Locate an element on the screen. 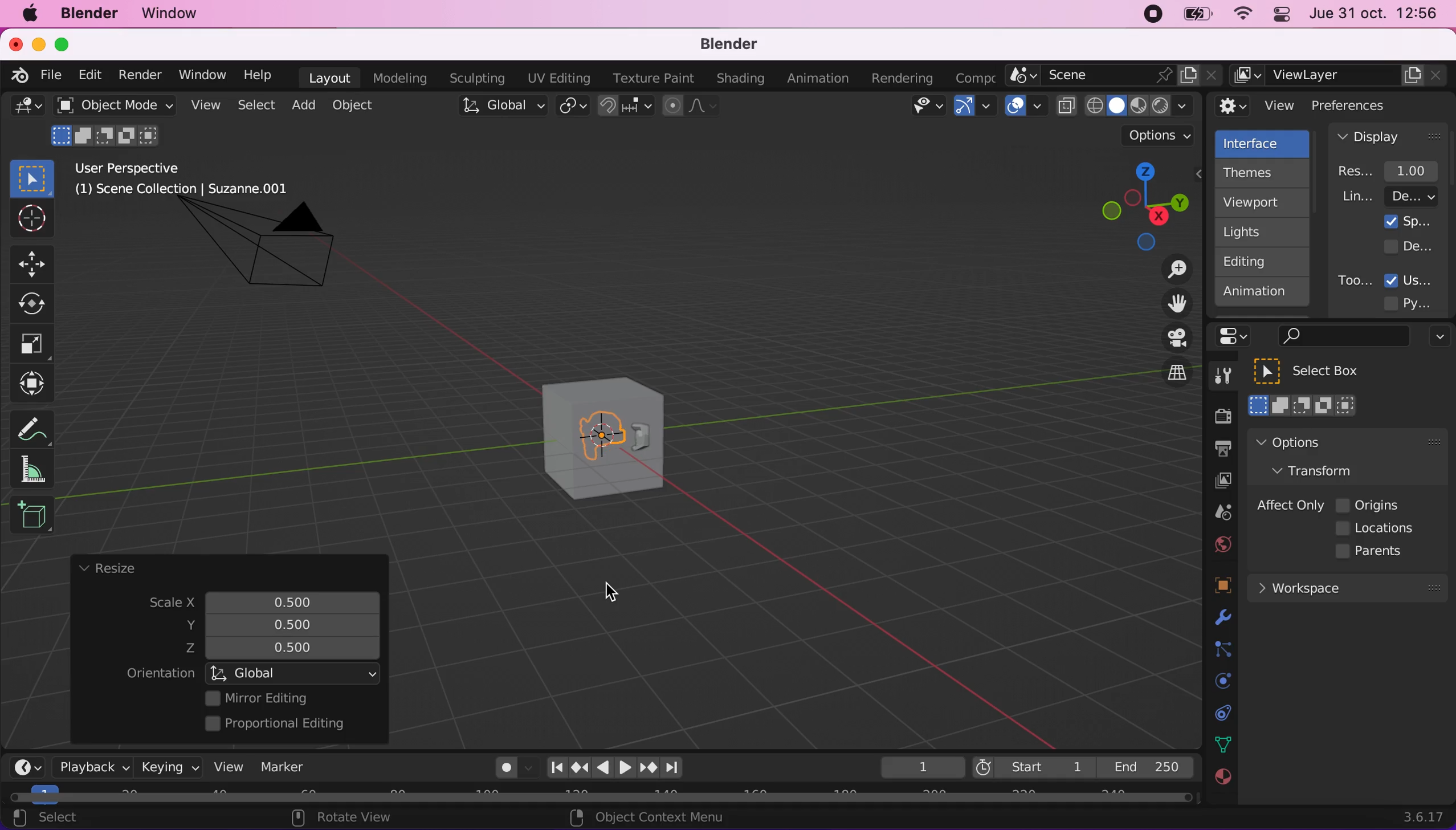 This screenshot has height=830, width=1456. texture paint is located at coordinates (651, 78).